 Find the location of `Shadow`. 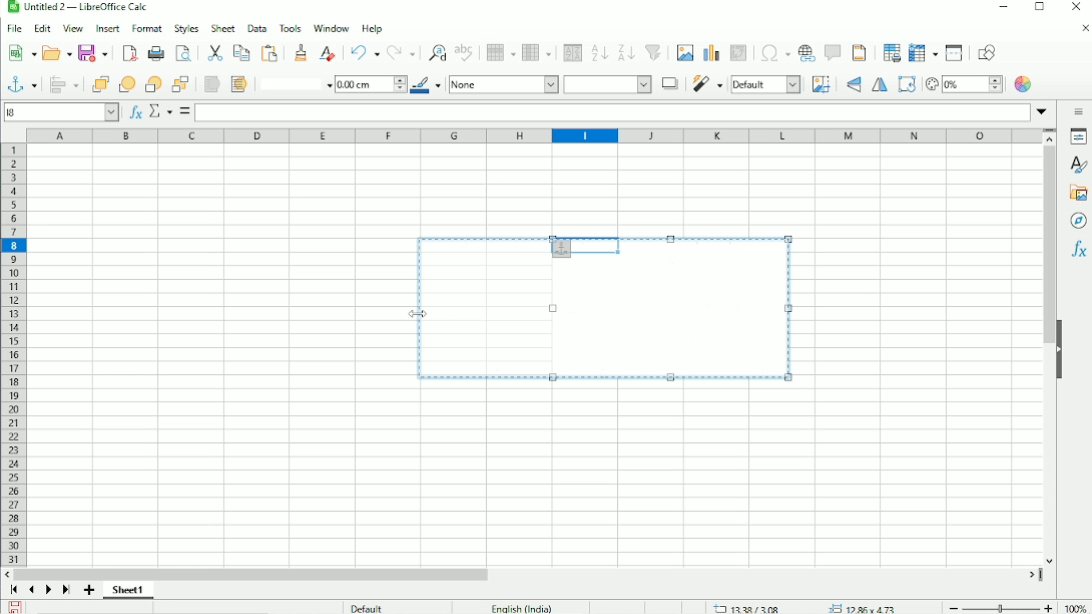

Shadow is located at coordinates (669, 83).